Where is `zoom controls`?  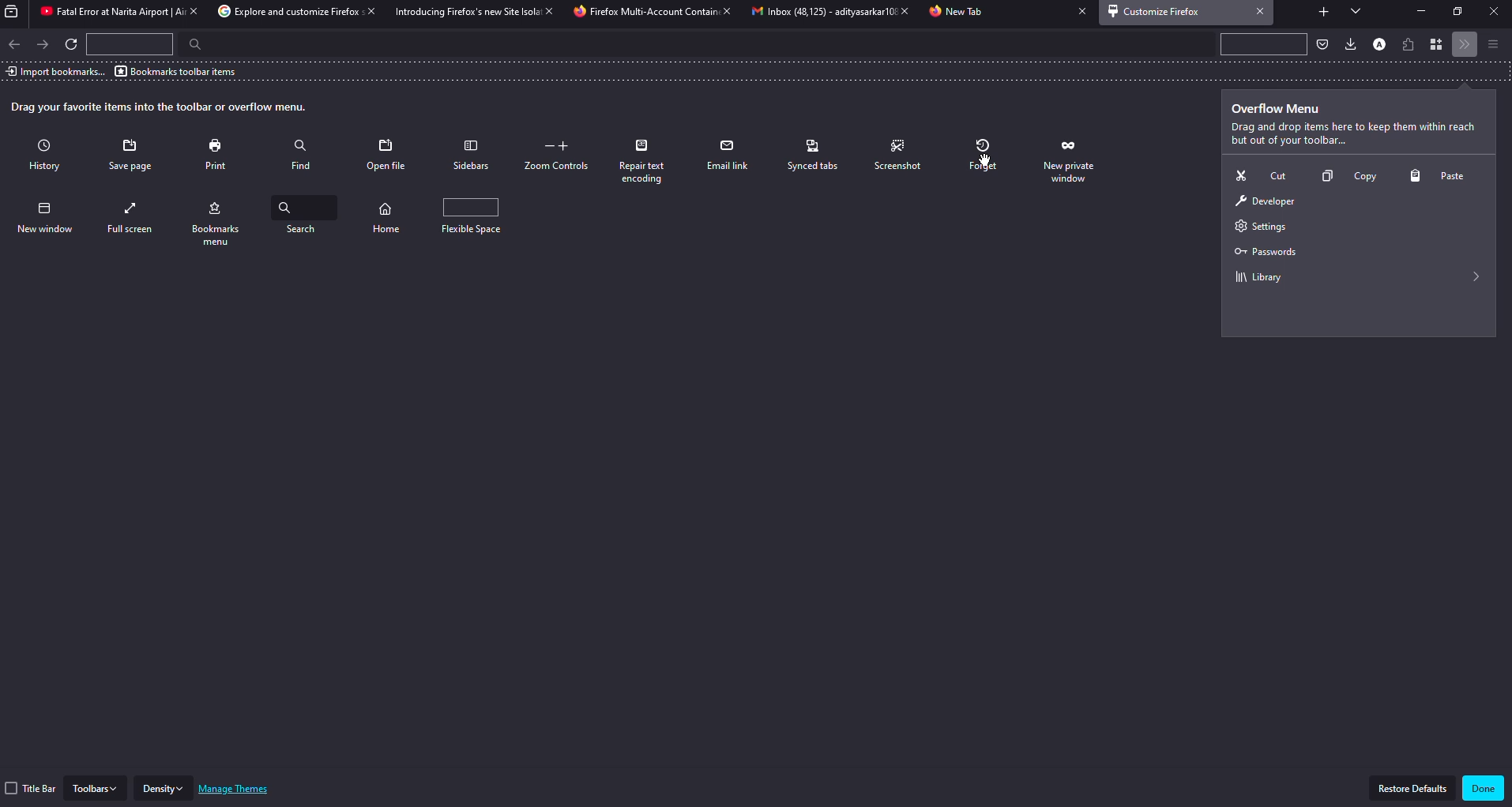
zoom controls is located at coordinates (559, 156).